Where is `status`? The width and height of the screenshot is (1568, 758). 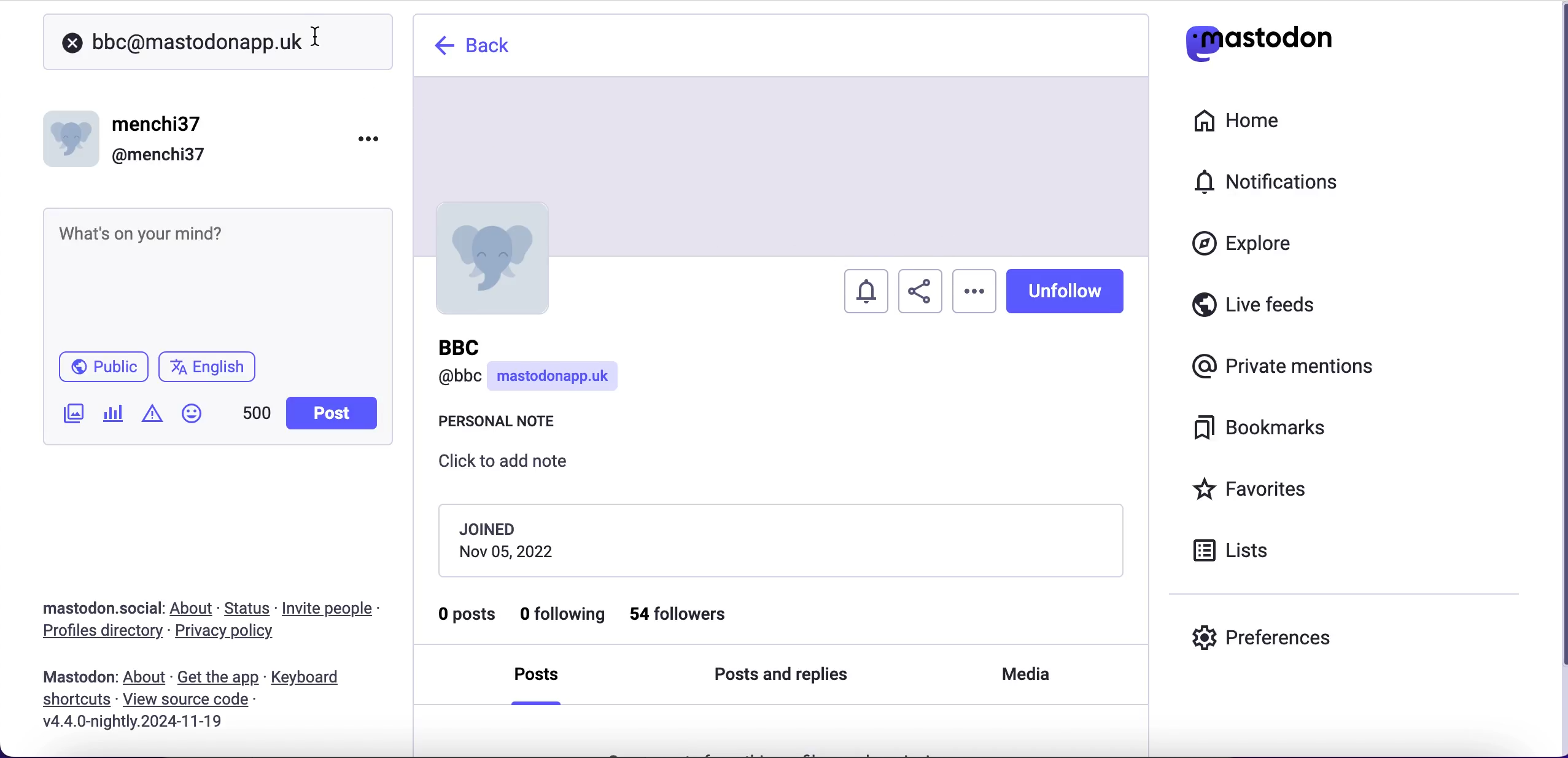
status is located at coordinates (249, 608).